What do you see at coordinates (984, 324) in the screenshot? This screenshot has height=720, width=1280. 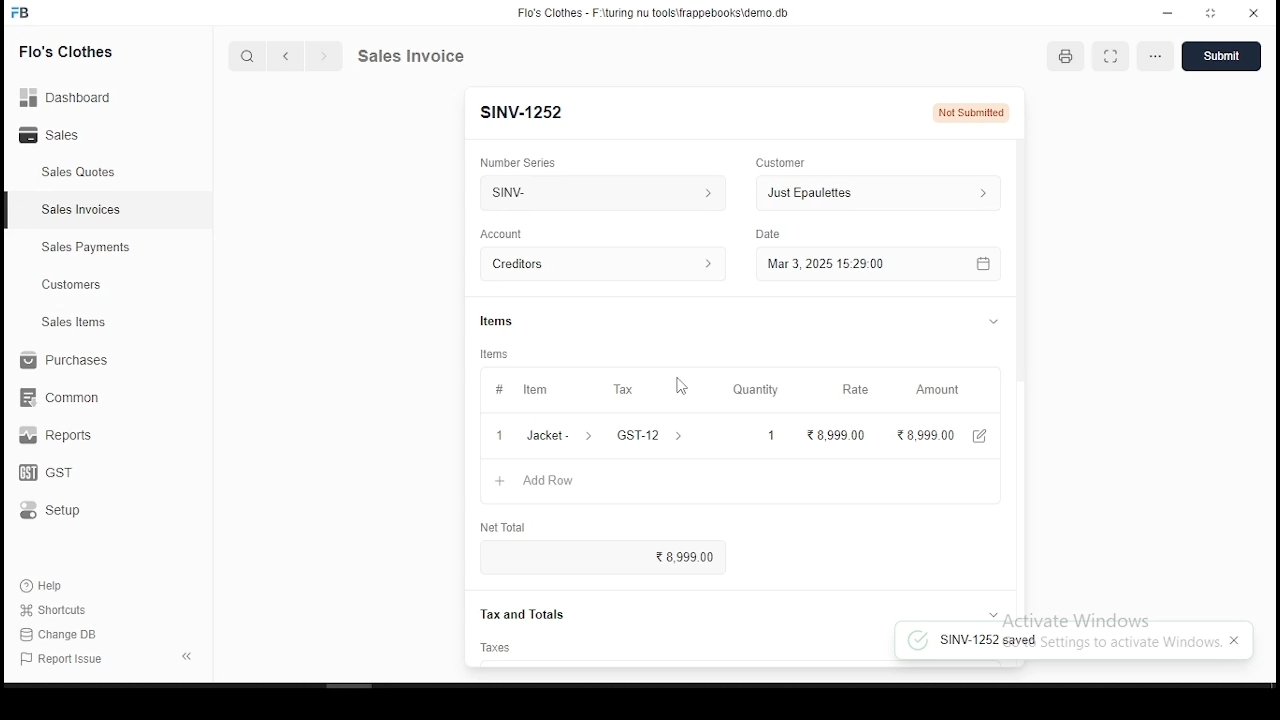 I see `expand` at bounding box center [984, 324].